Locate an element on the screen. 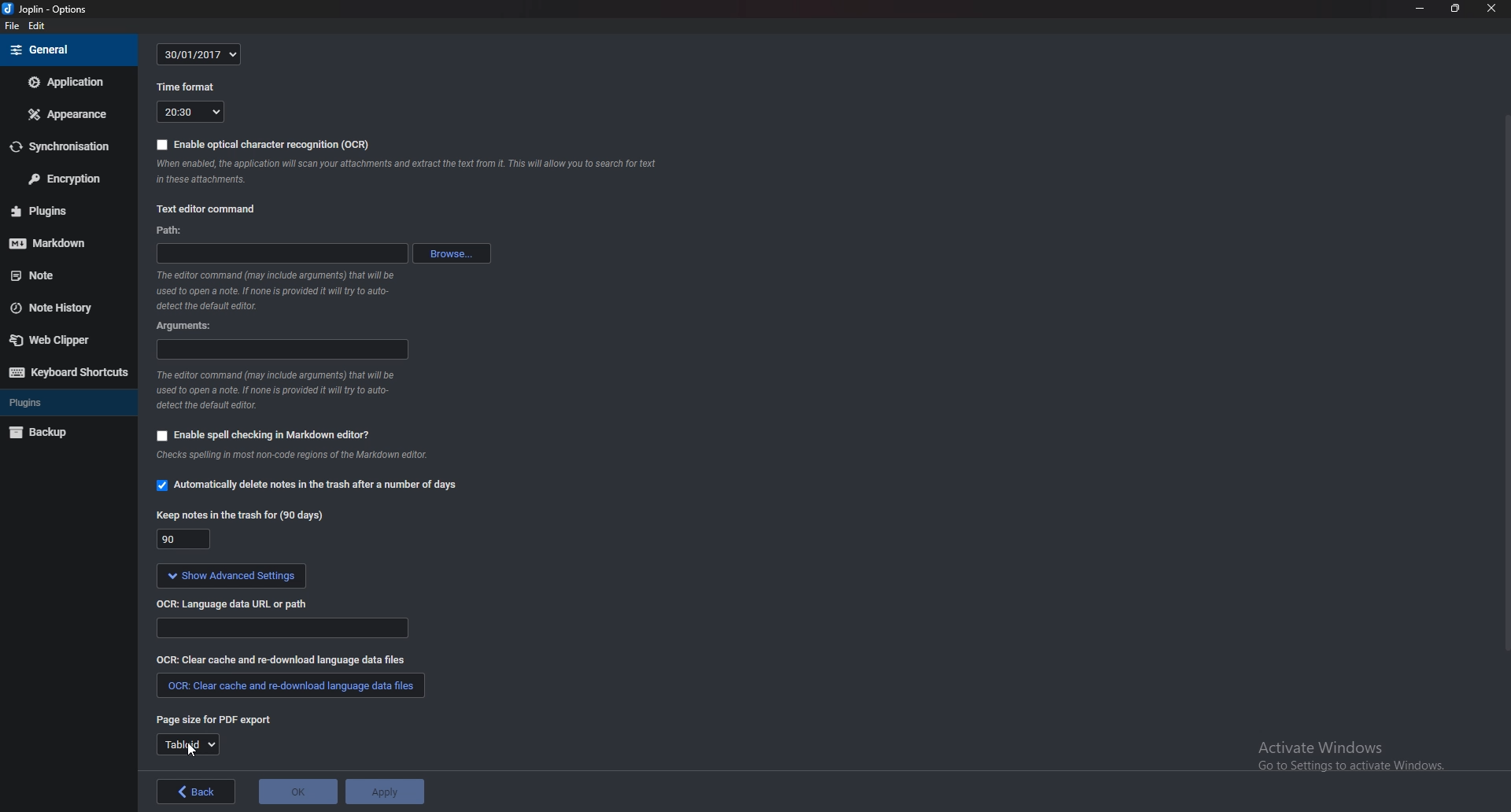 The image size is (1511, 812). note is located at coordinates (54, 275).